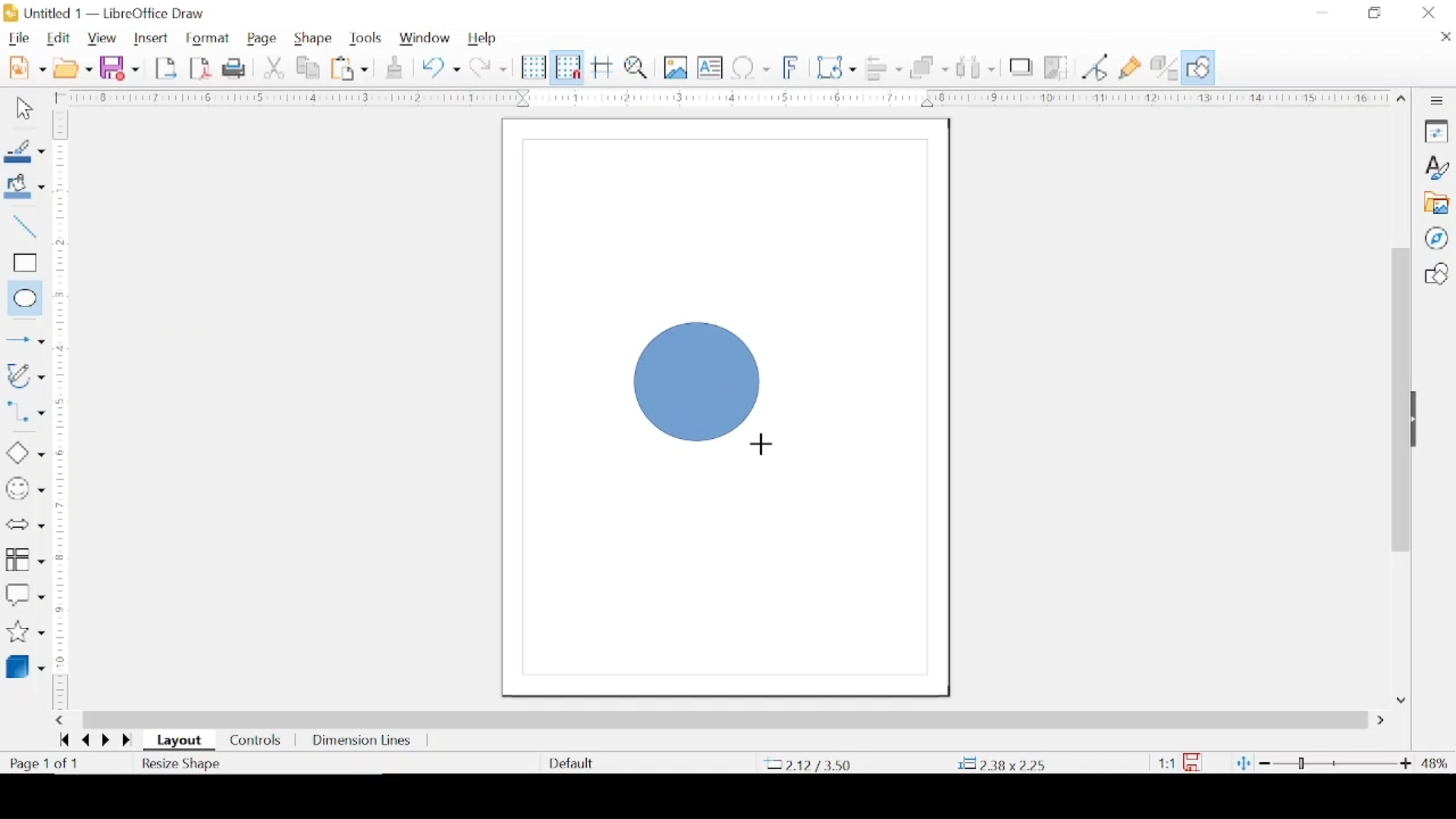 This screenshot has width=1456, height=819. I want to click on copy, so click(309, 67).